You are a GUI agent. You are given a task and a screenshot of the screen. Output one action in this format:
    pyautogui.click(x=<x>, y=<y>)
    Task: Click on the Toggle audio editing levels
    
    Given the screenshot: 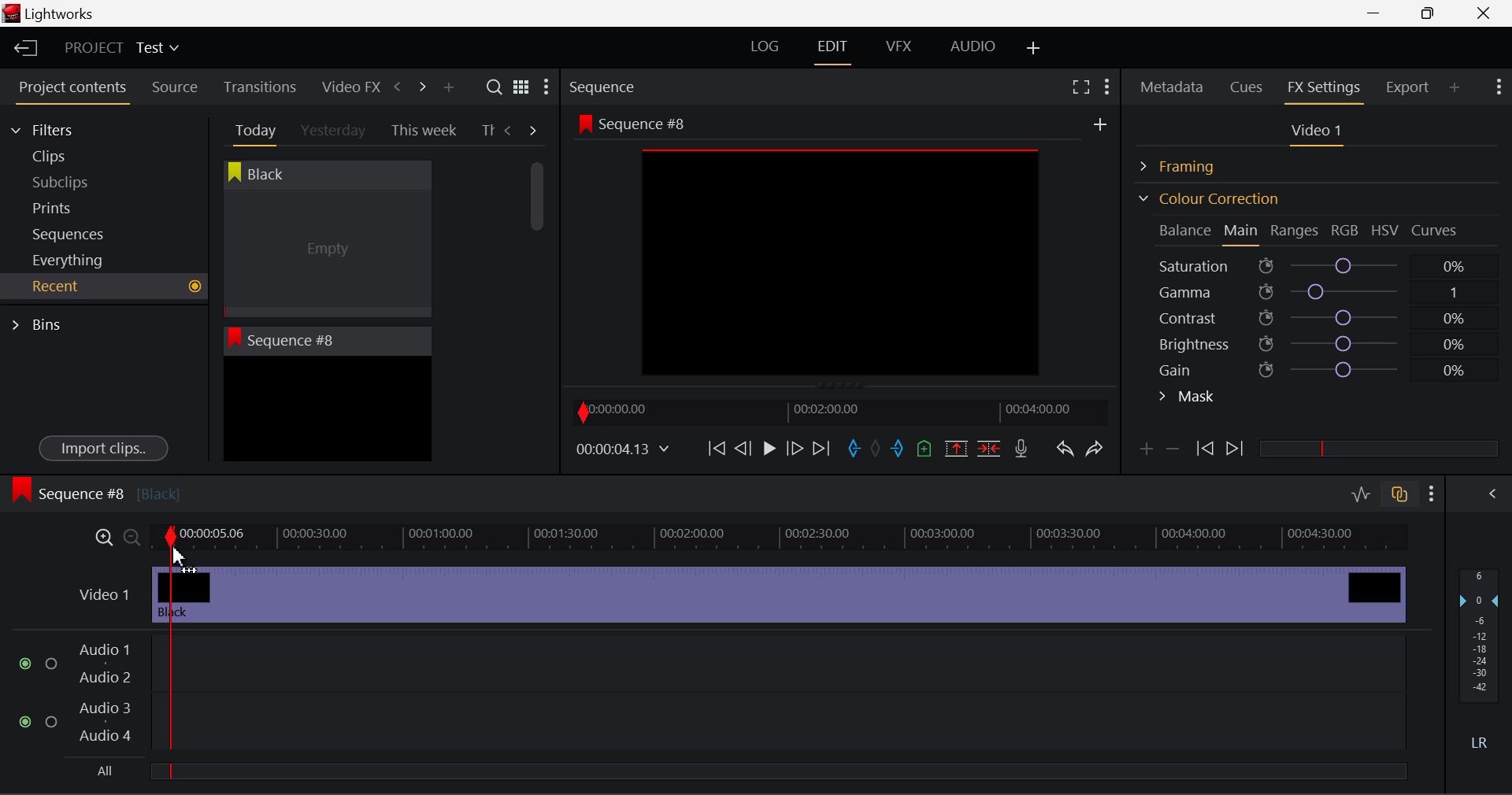 What is the action you would take?
    pyautogui.click(x=1362, y=492)
    